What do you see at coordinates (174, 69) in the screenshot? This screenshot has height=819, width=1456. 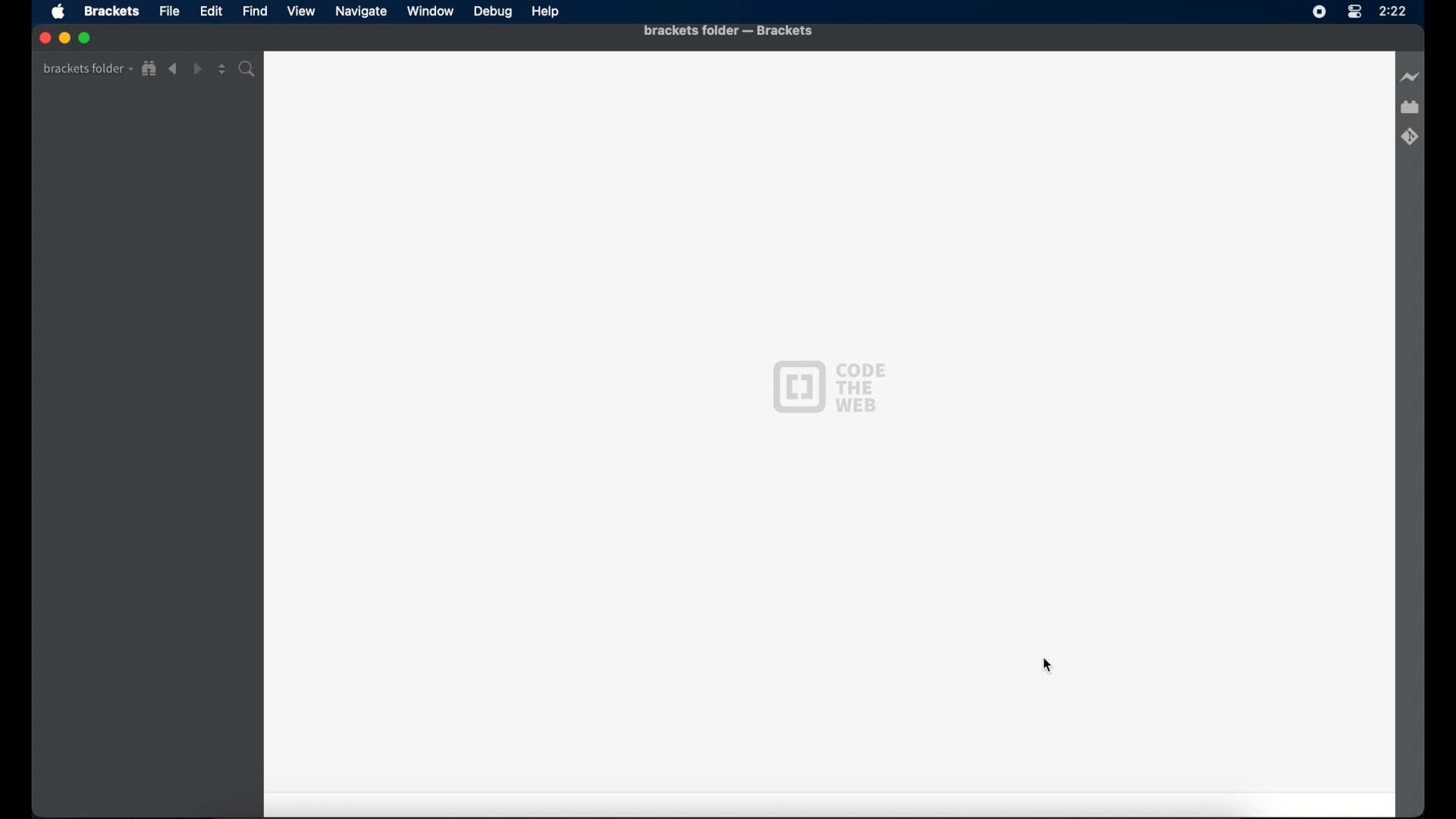 I see `backward` at bounding box center [174, 69].